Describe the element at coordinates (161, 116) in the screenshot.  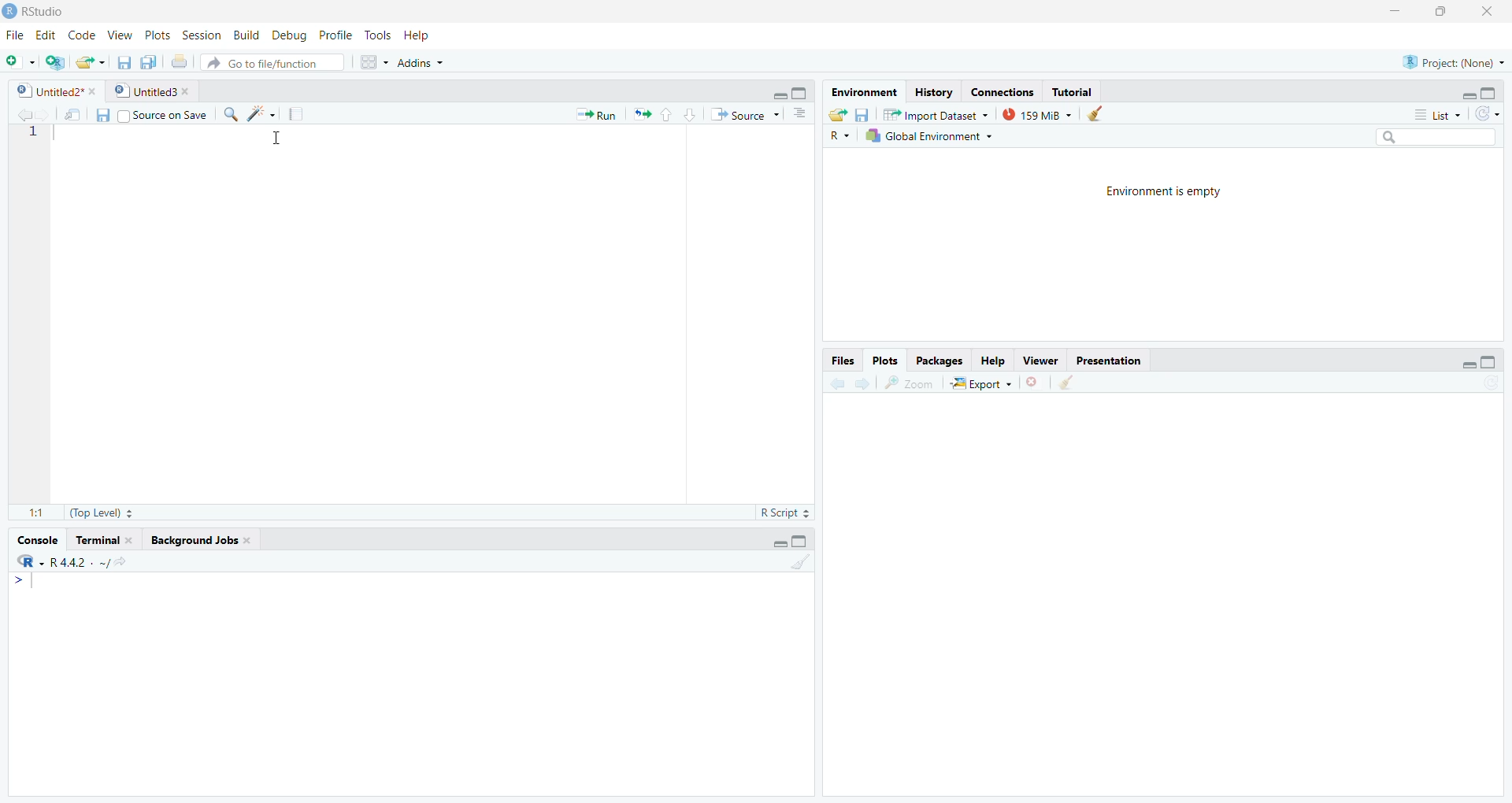
I see `Source on Save` at that location.